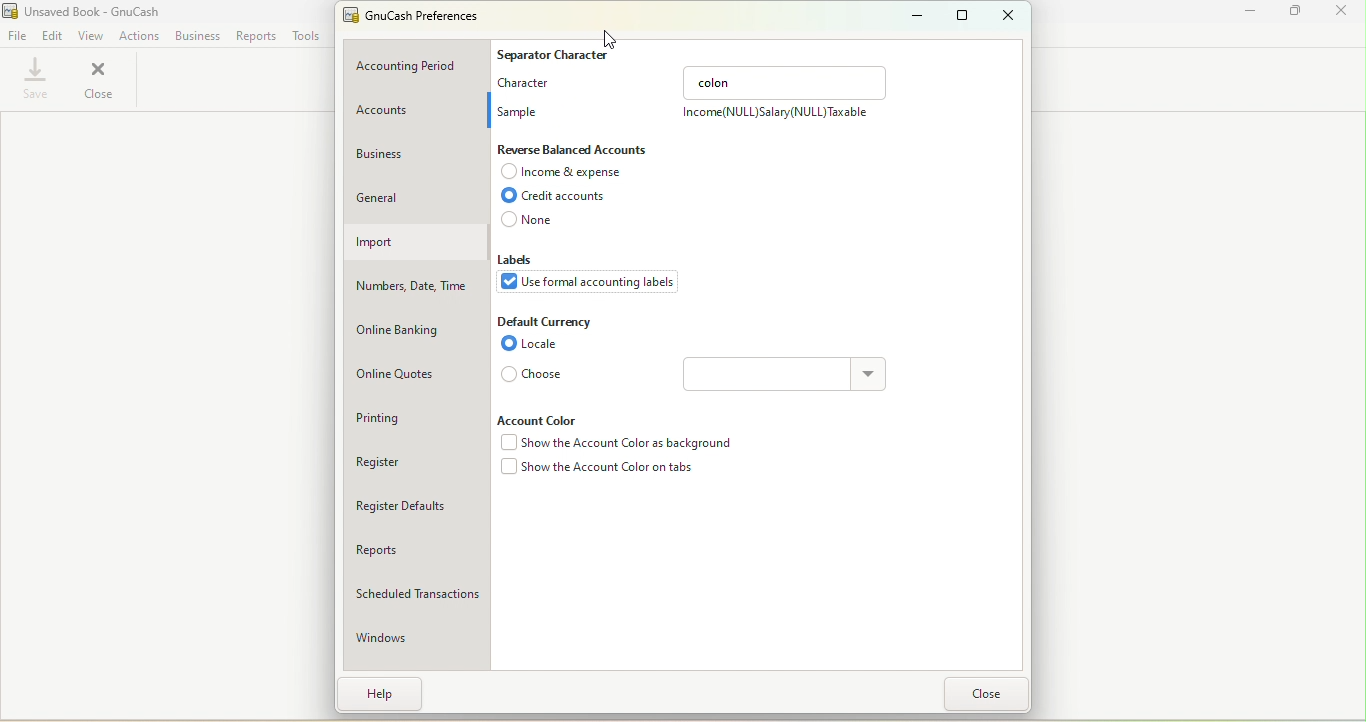 The width and height of the screenshot is (1366, 722). Describe the element at coordinates (415, 112) in the screenshot. I see `Accounts` at that location.